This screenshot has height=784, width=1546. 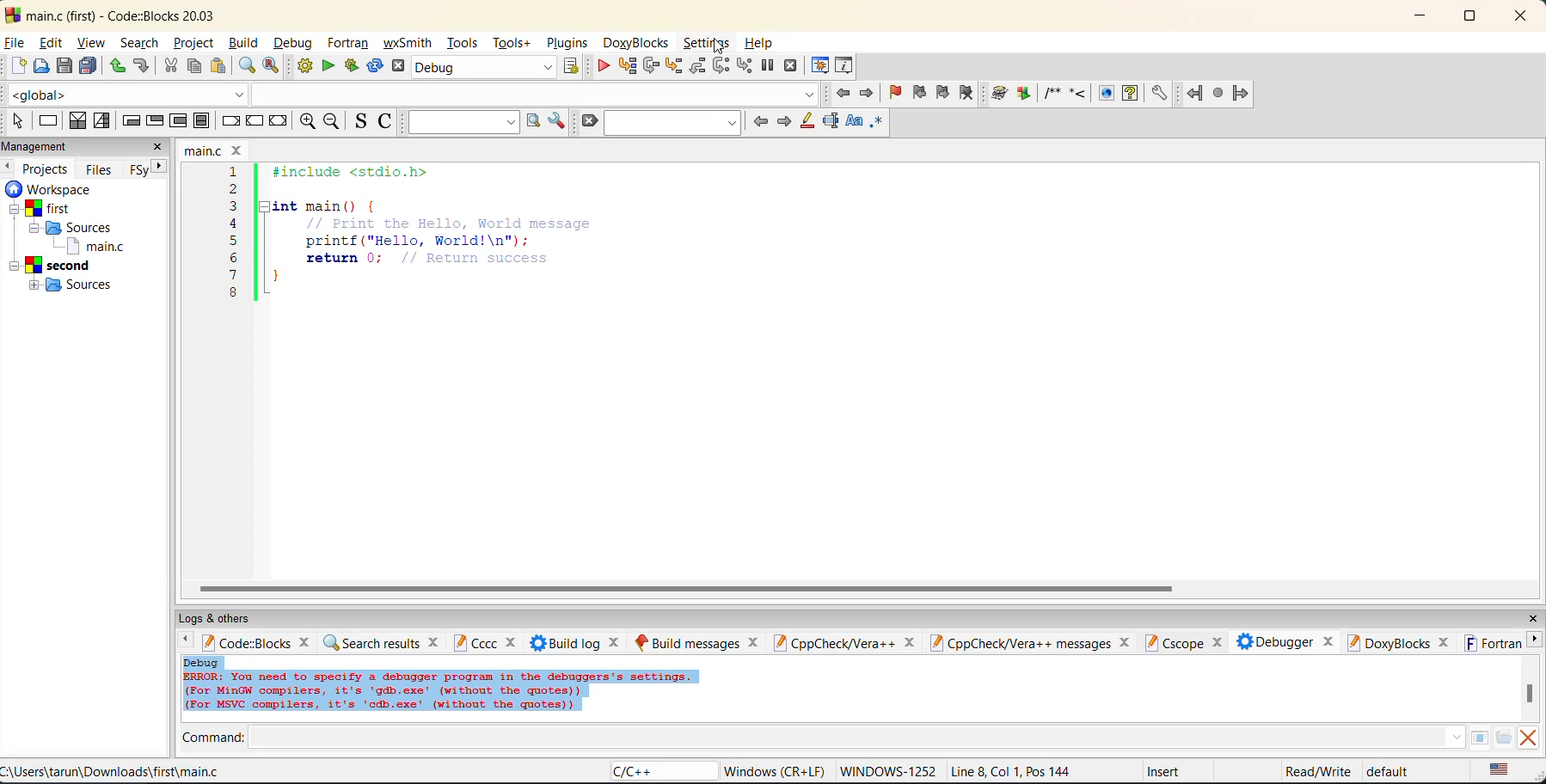 What do you see at coordinates (216, 149) in the screenshot?
I see `main.c` at bounding box center [216, 149].